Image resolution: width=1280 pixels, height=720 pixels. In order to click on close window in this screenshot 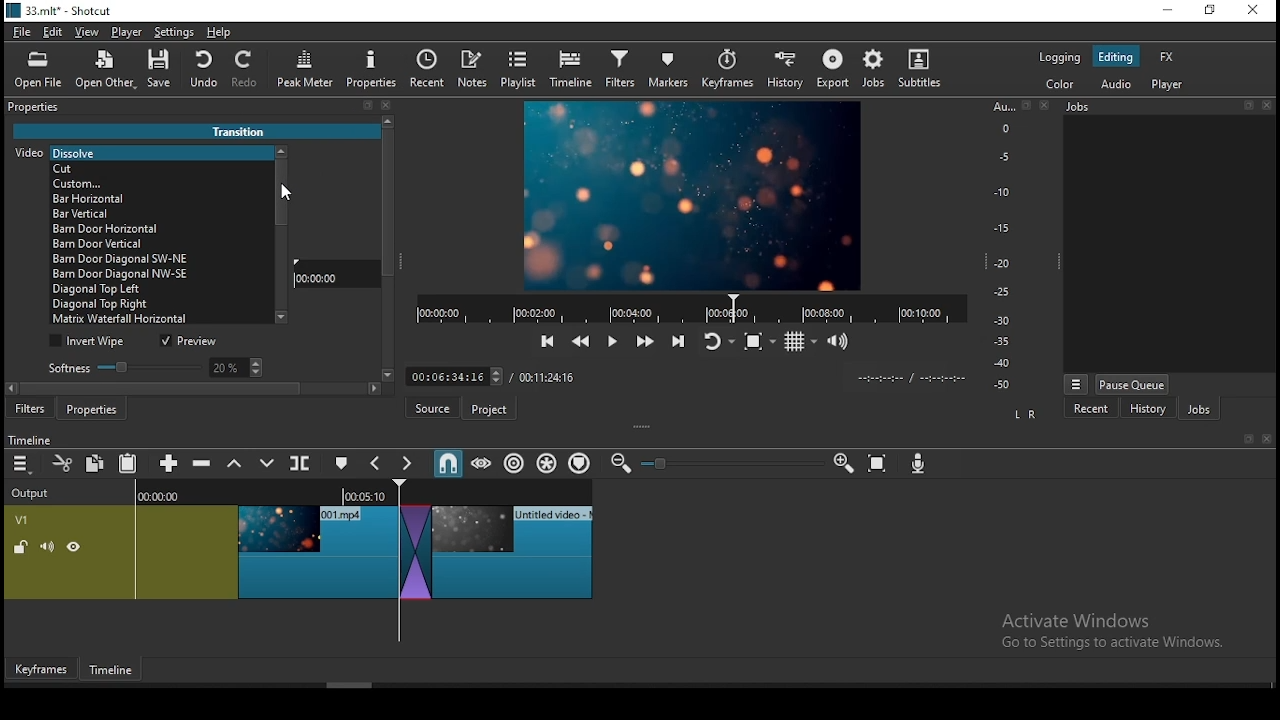, I will do `click(1252, 11)`.